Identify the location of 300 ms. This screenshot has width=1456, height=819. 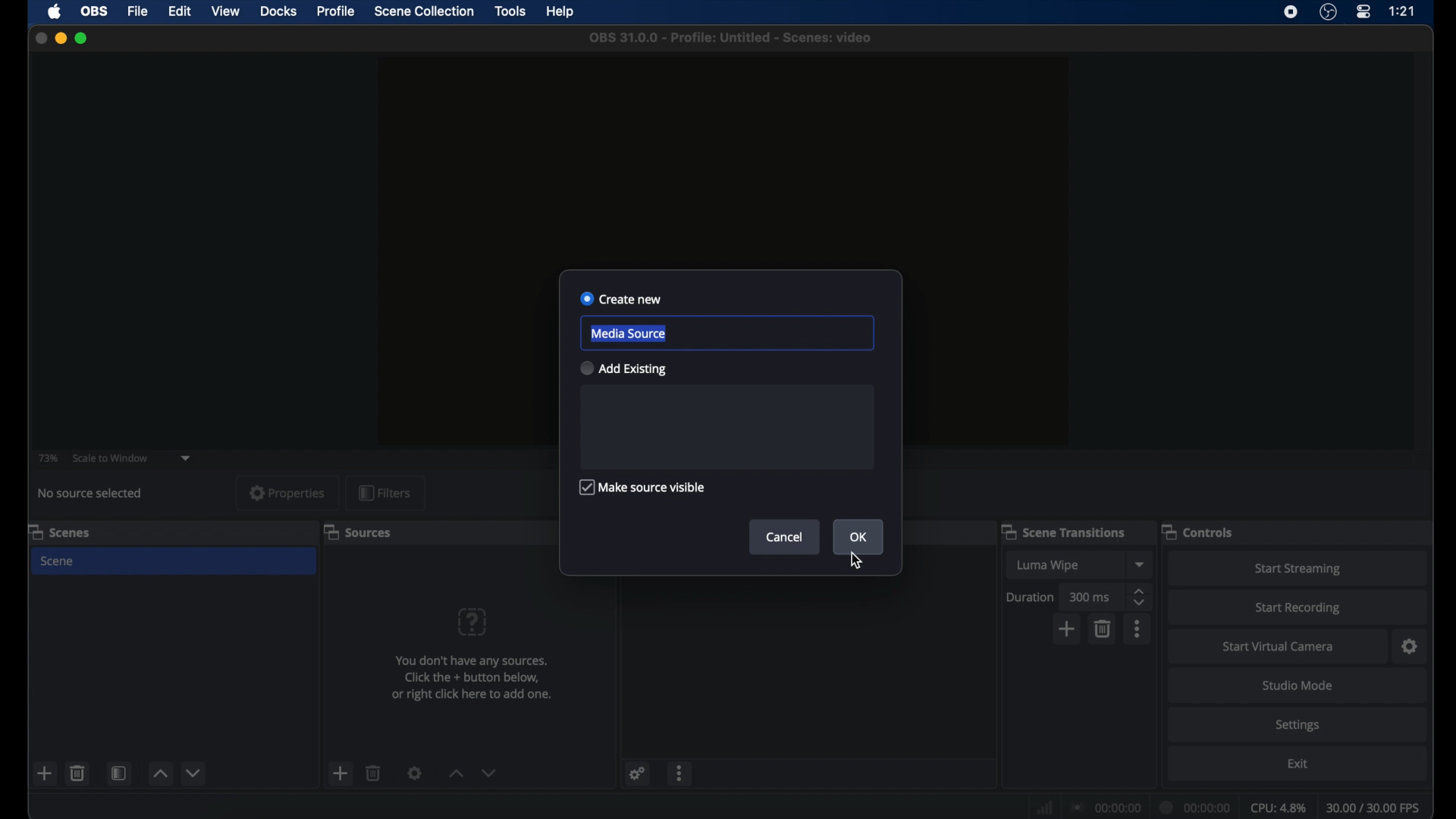
(1090, 597).